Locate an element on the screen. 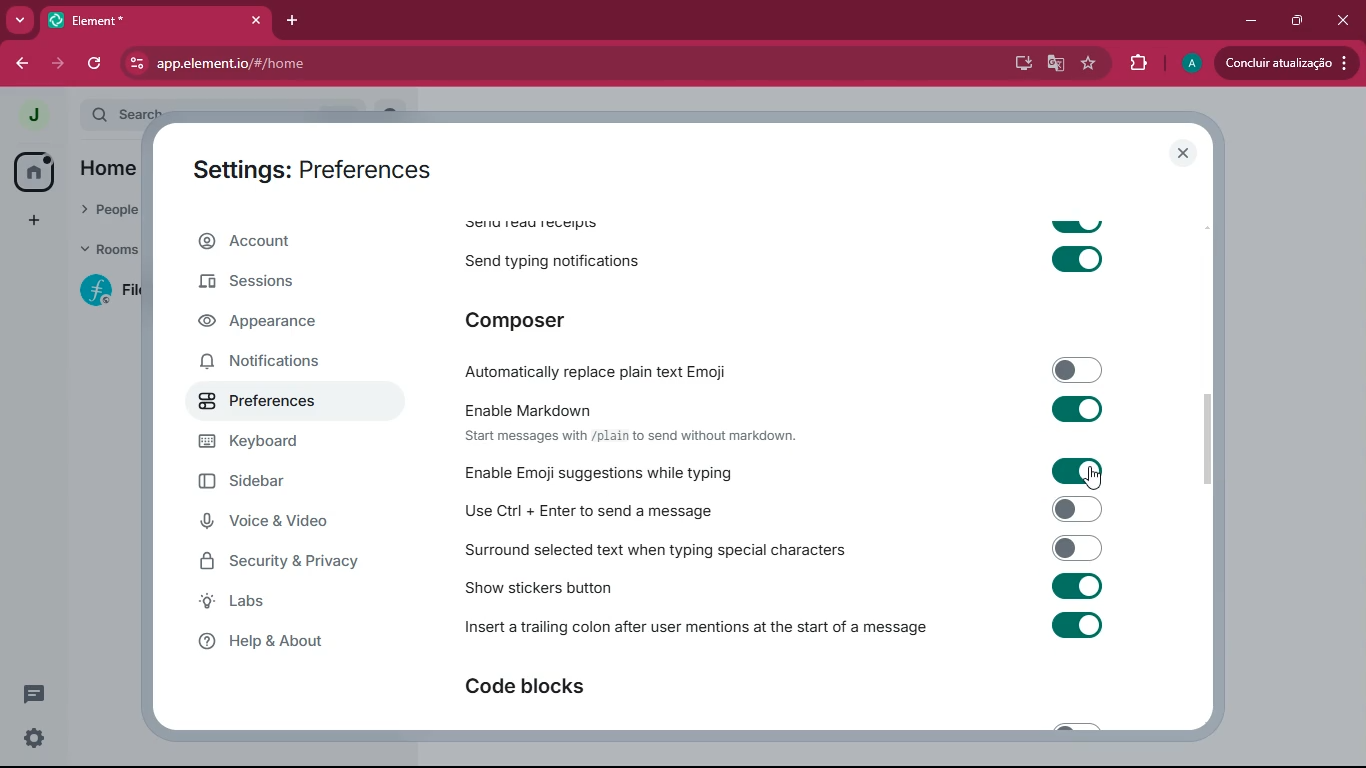  preferences is located at coordinates (274, 405).